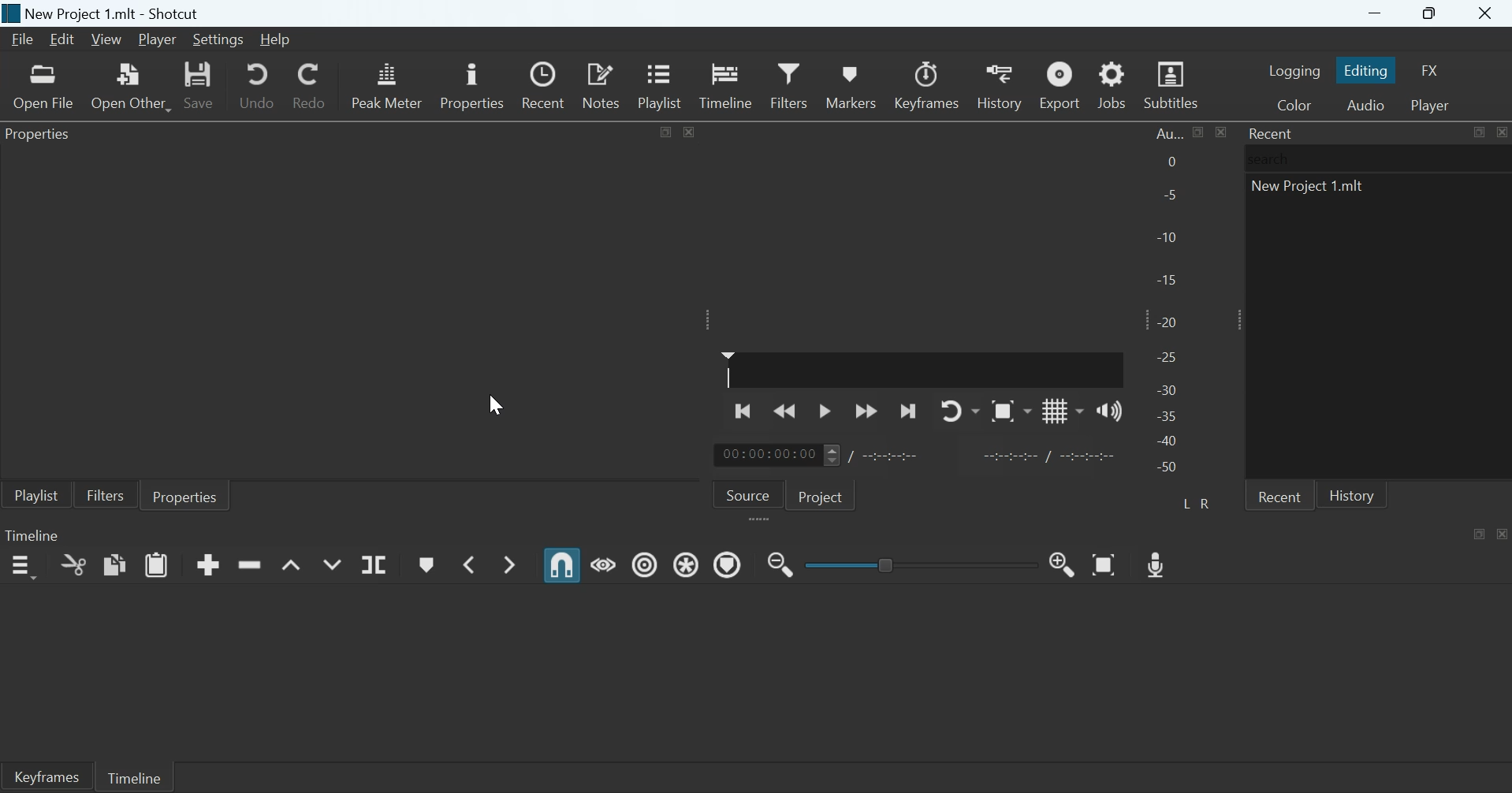  What do you see at coordinates (888, 563) in the screenshot?
I see `Toggle` at bounding box center [888, 563].